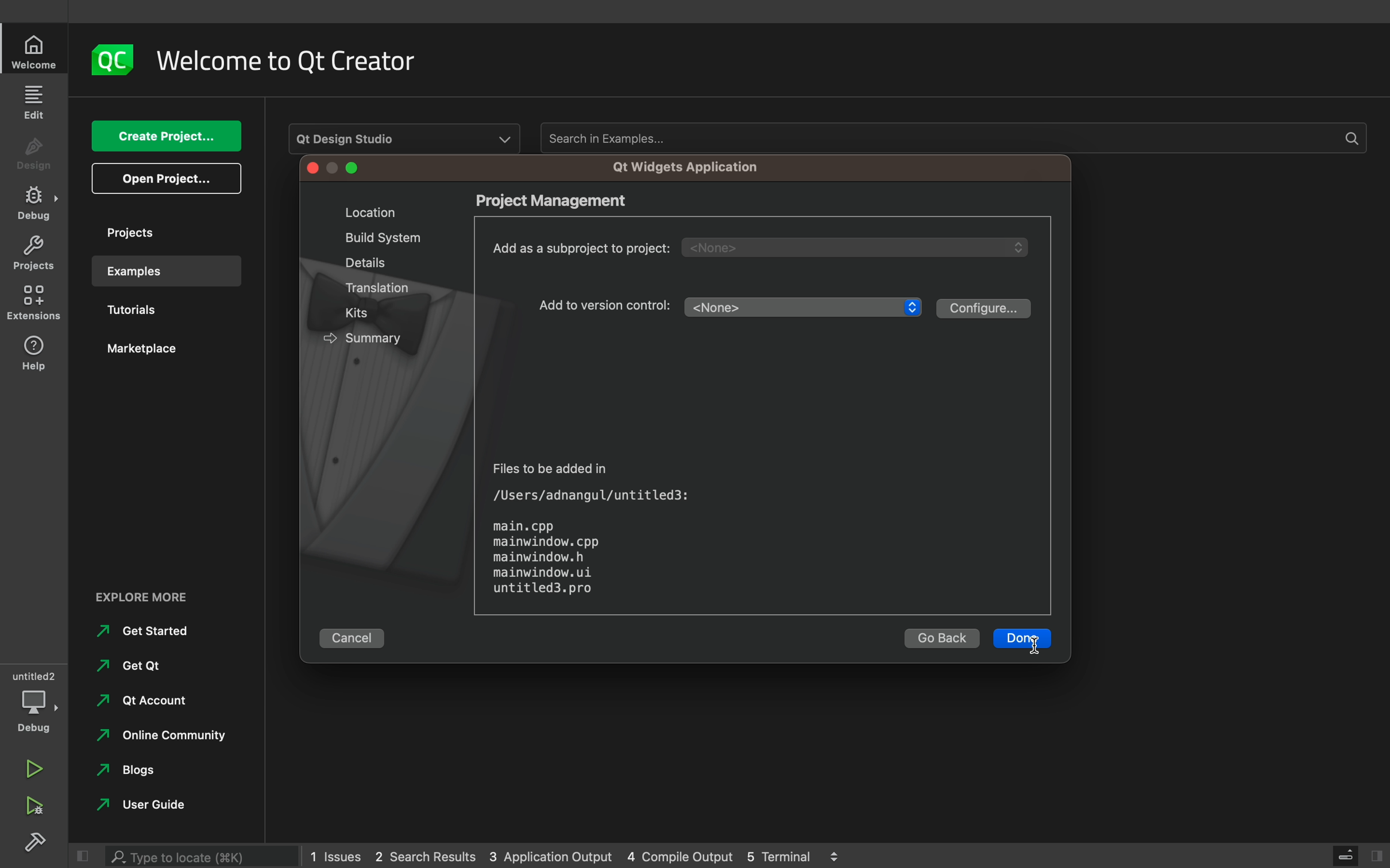 Image resolution: width=1390 pixels, height=868 pixels. Describe the element at coordinates (204, 854) in the screenshot. I see `searchbar` at that location.